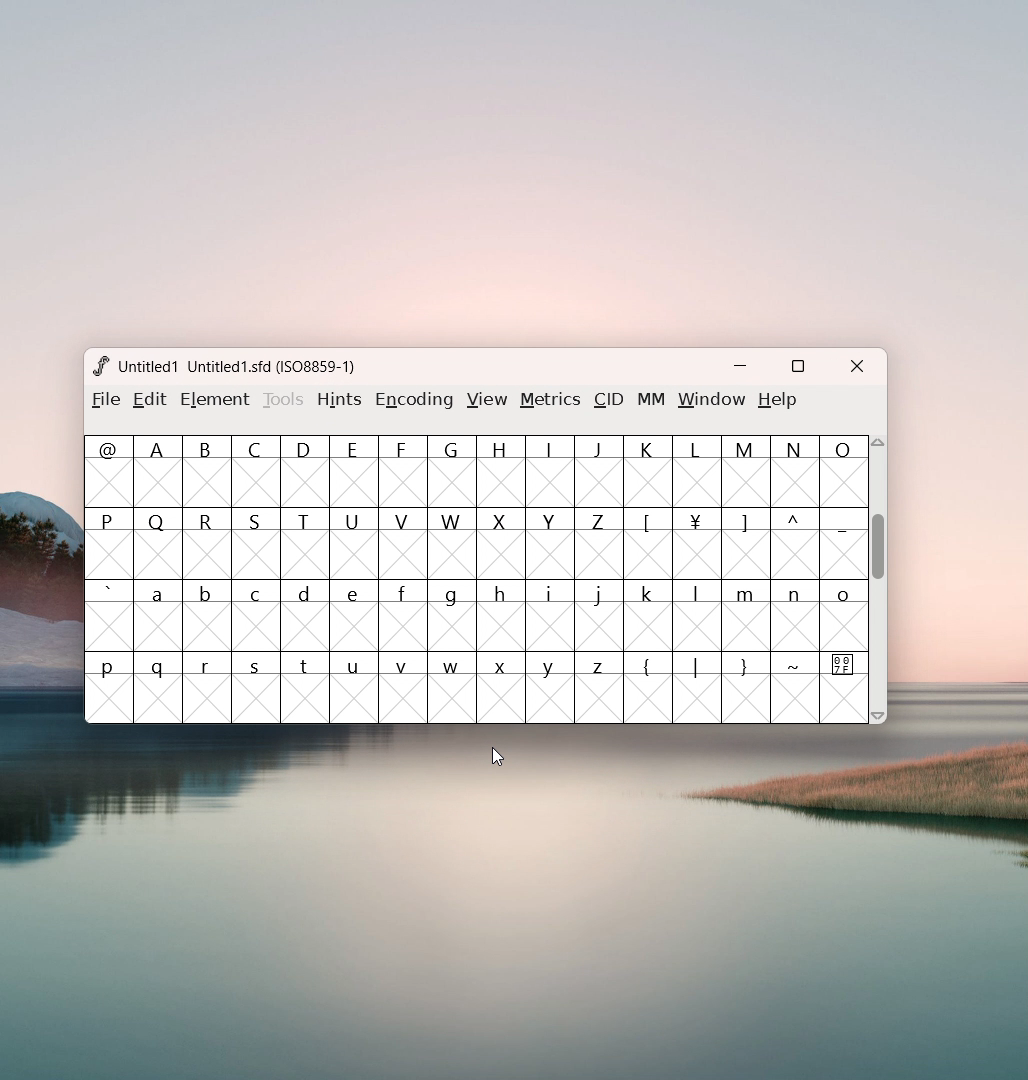 This screenshot has height=1080, width=1028. Describe the element at coordinates (747, 471) in the screenshot. I see `M` at that location.